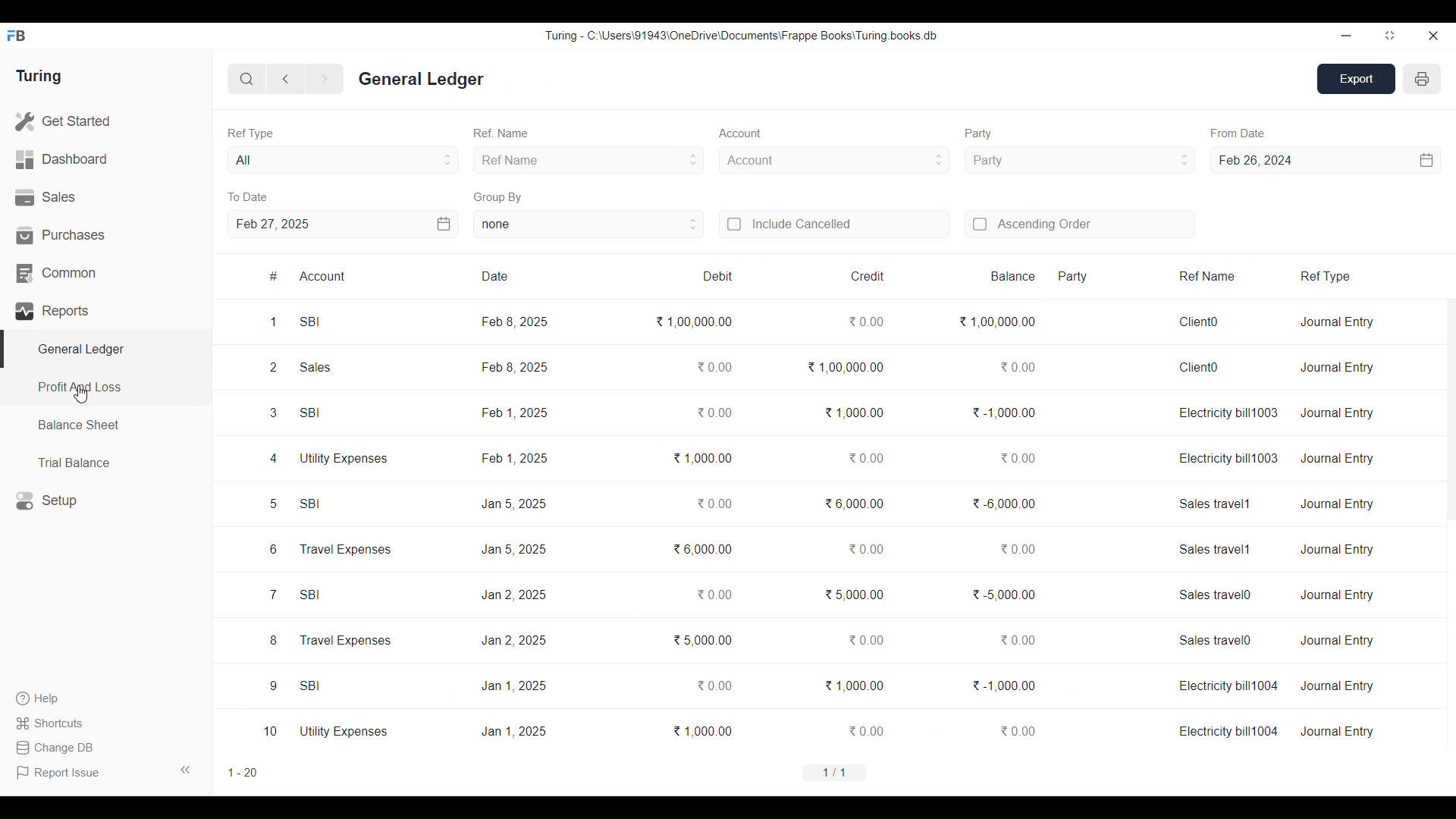 The height and width of the screenshot is (819, 1456). Describe the element at coordinates (513, 731) in the screenshot. I see `Jan 1, 2025` at that location.